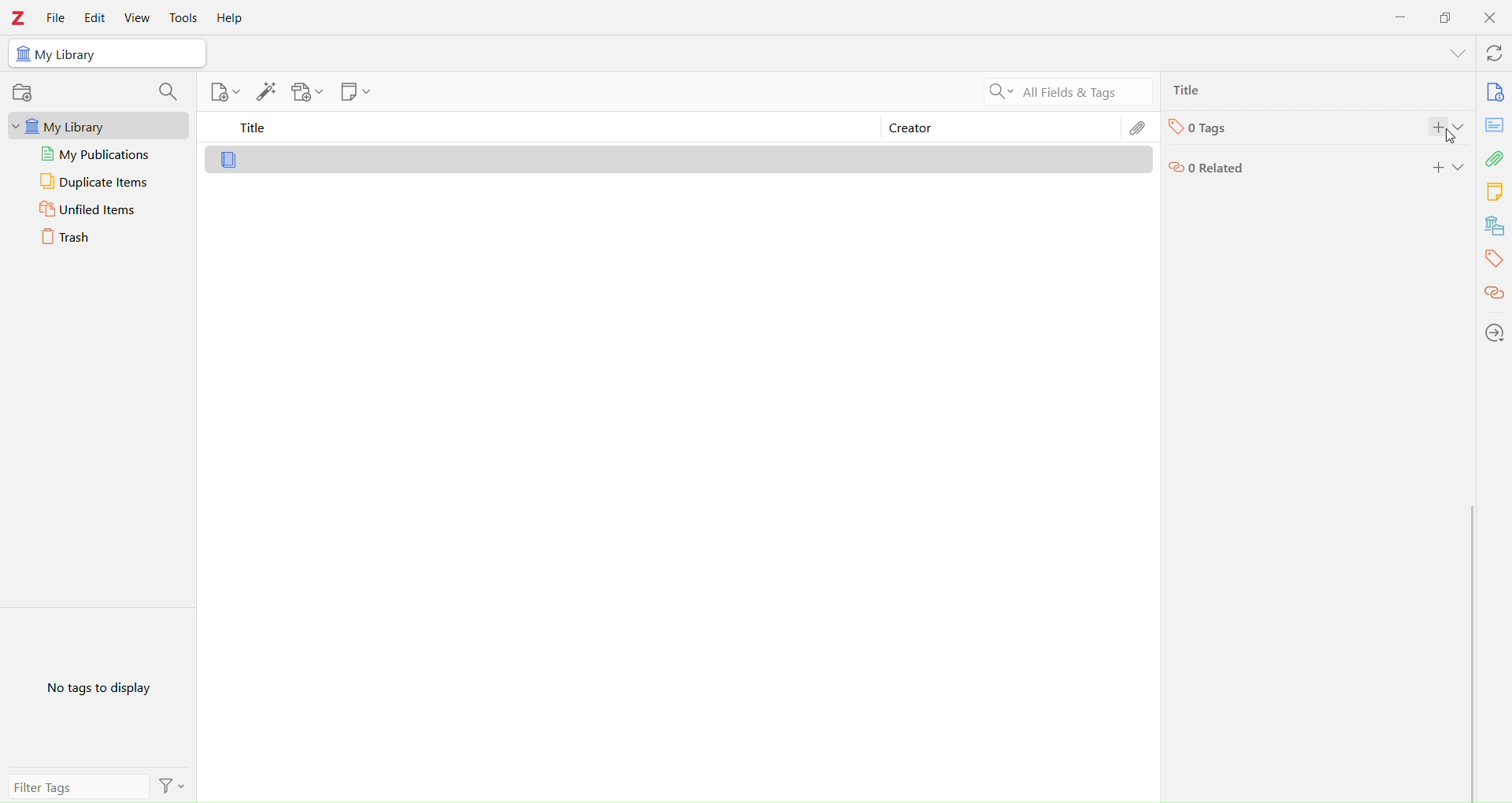 This screenshot has height=803, width=1512. Describe the element at coordinates (1494, 206) in the screenshot. I see `Library tools bar` at that location.